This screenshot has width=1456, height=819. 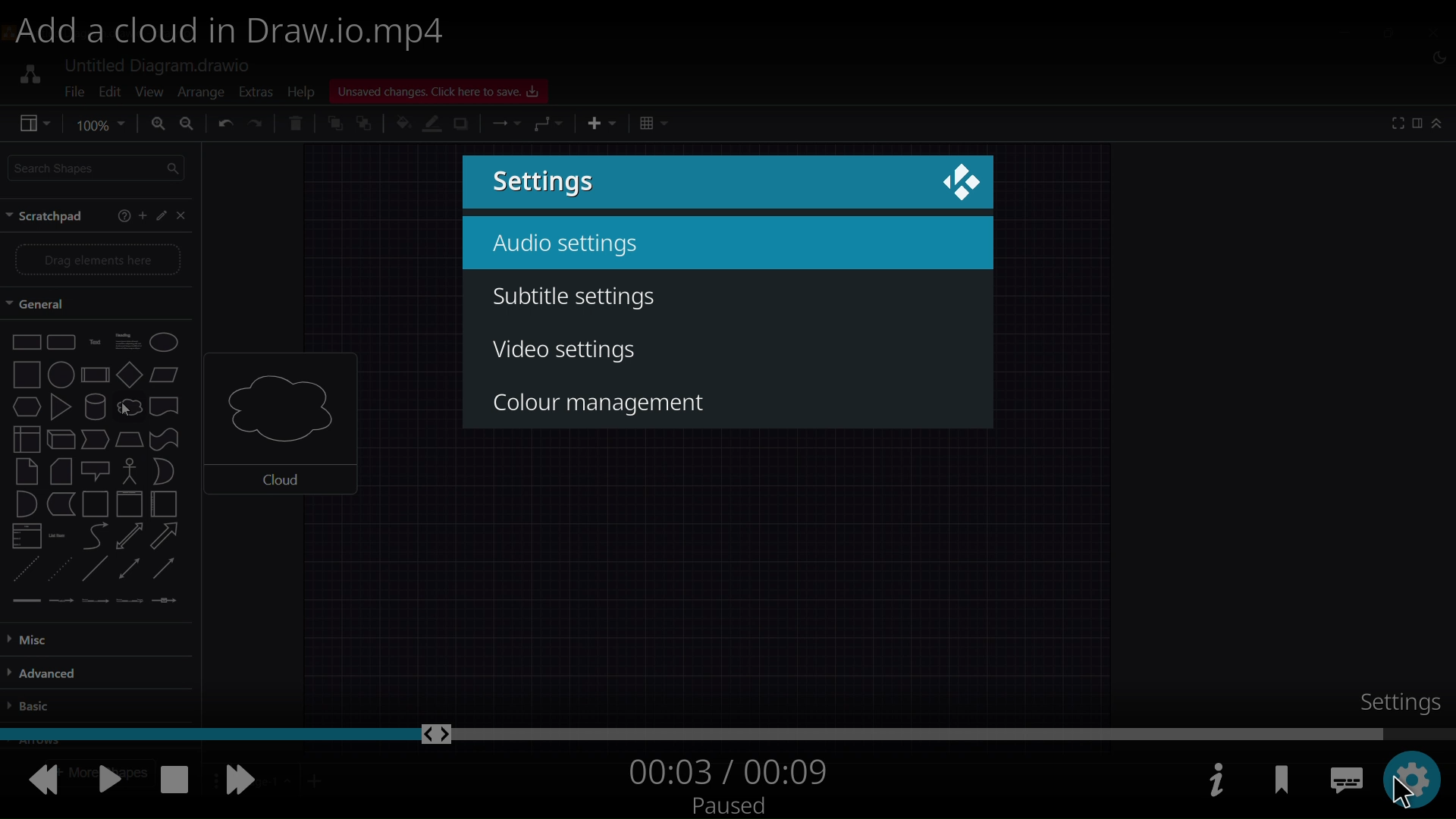 What do you see at coordinates (956, 181) in the screenshot?
I see `close dialog` at bounding box center [956, 181].